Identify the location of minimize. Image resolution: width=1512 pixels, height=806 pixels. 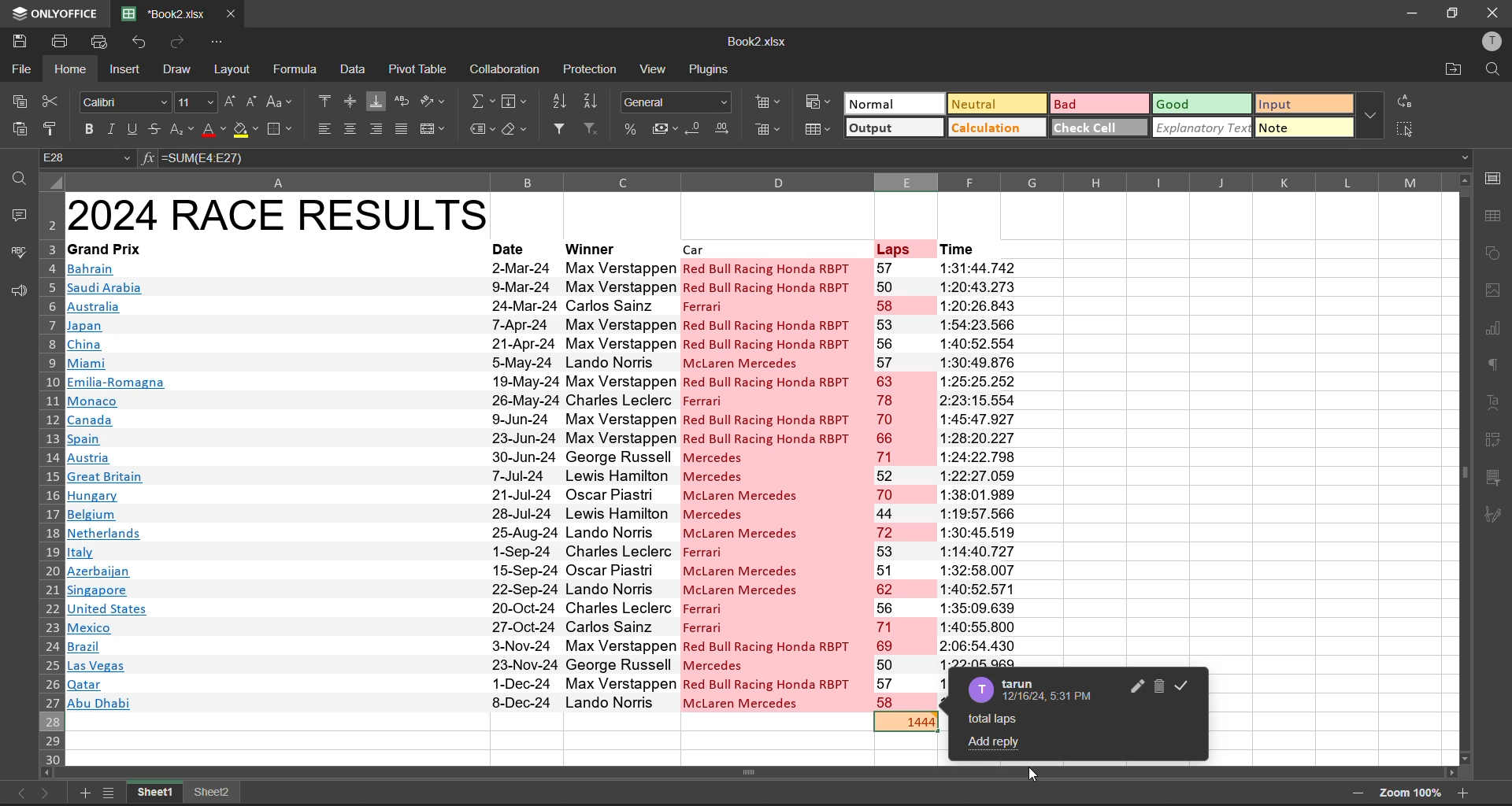
(1409, 14).